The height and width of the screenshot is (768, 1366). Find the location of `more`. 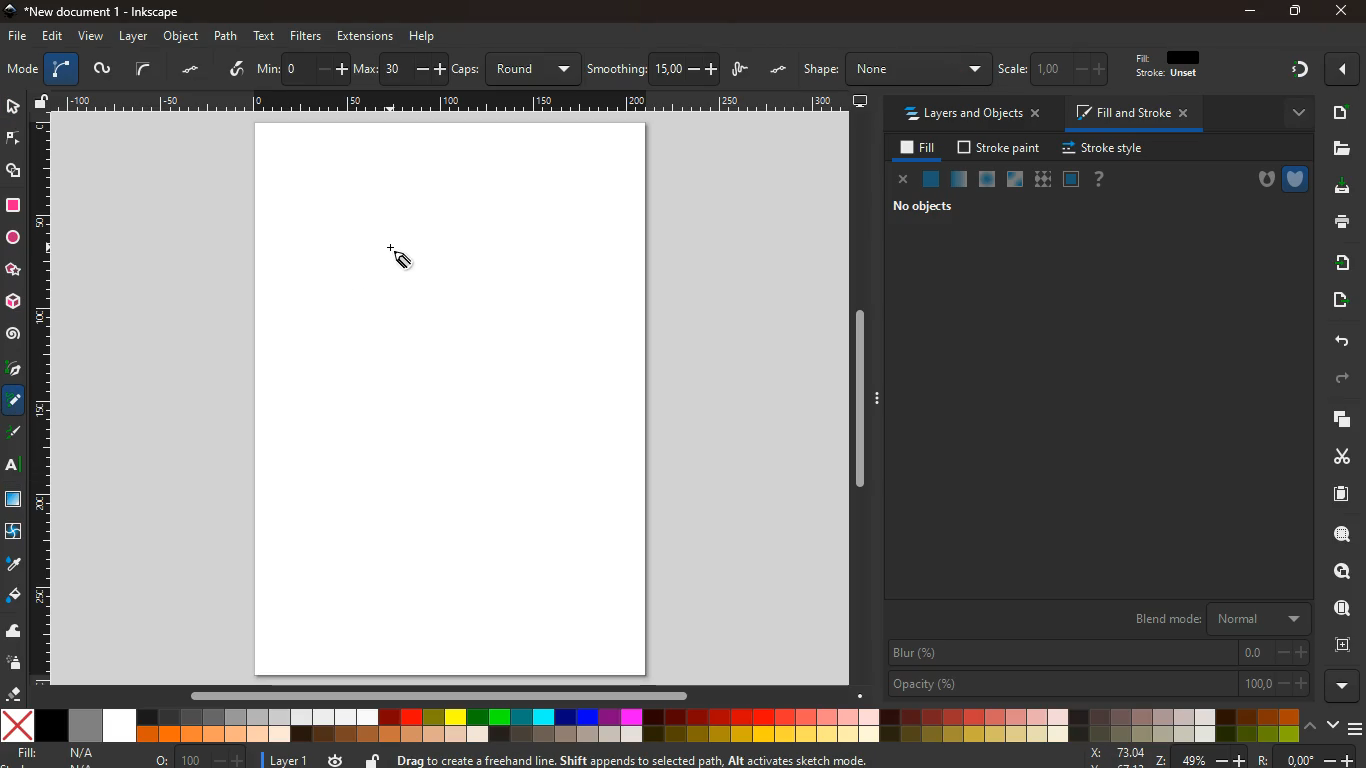

more is located at coordinates (1294, 114).